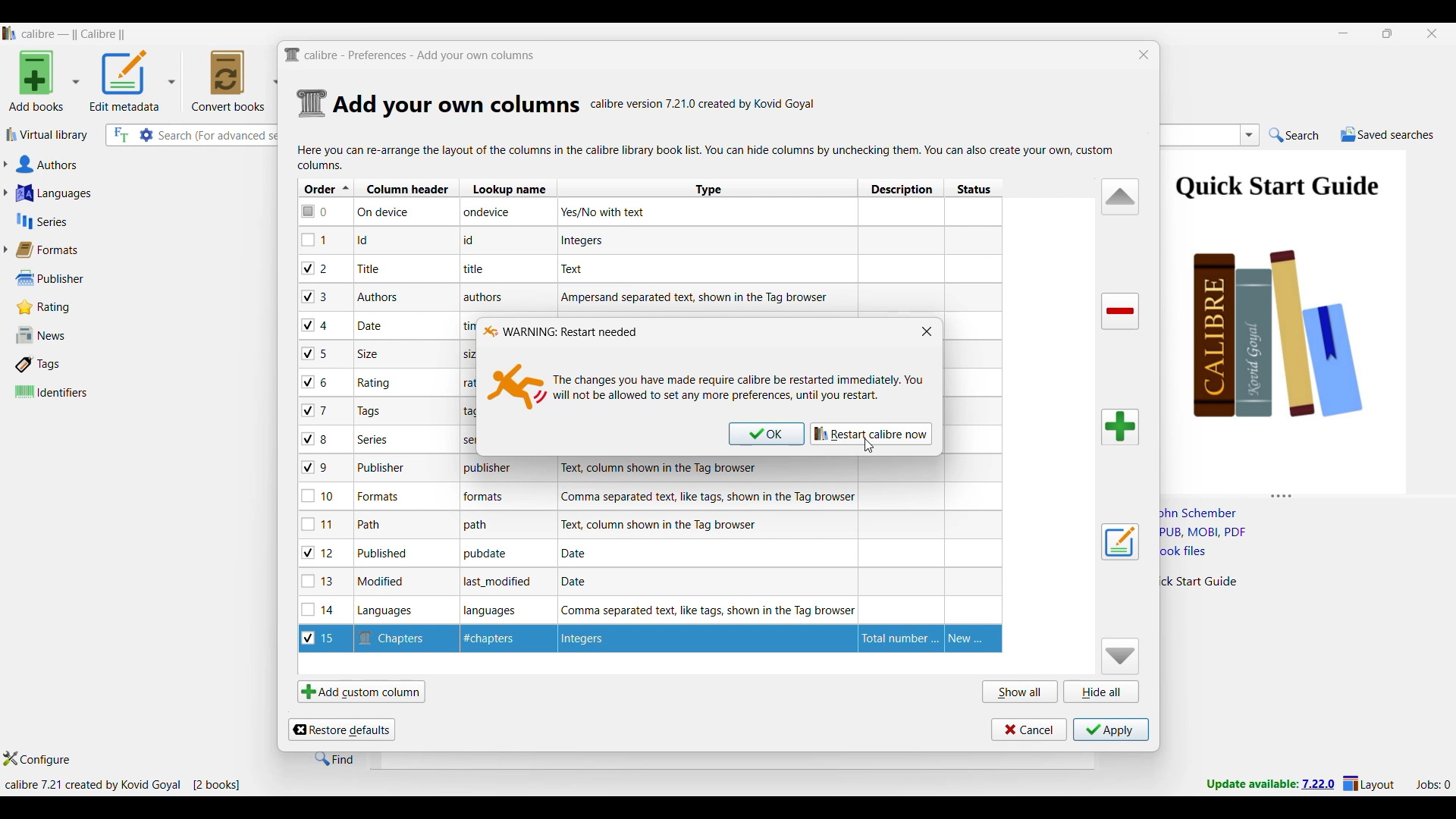 The width and height of the screenshot is (1456, 819). I want to click on Configure, so click(37, 758).